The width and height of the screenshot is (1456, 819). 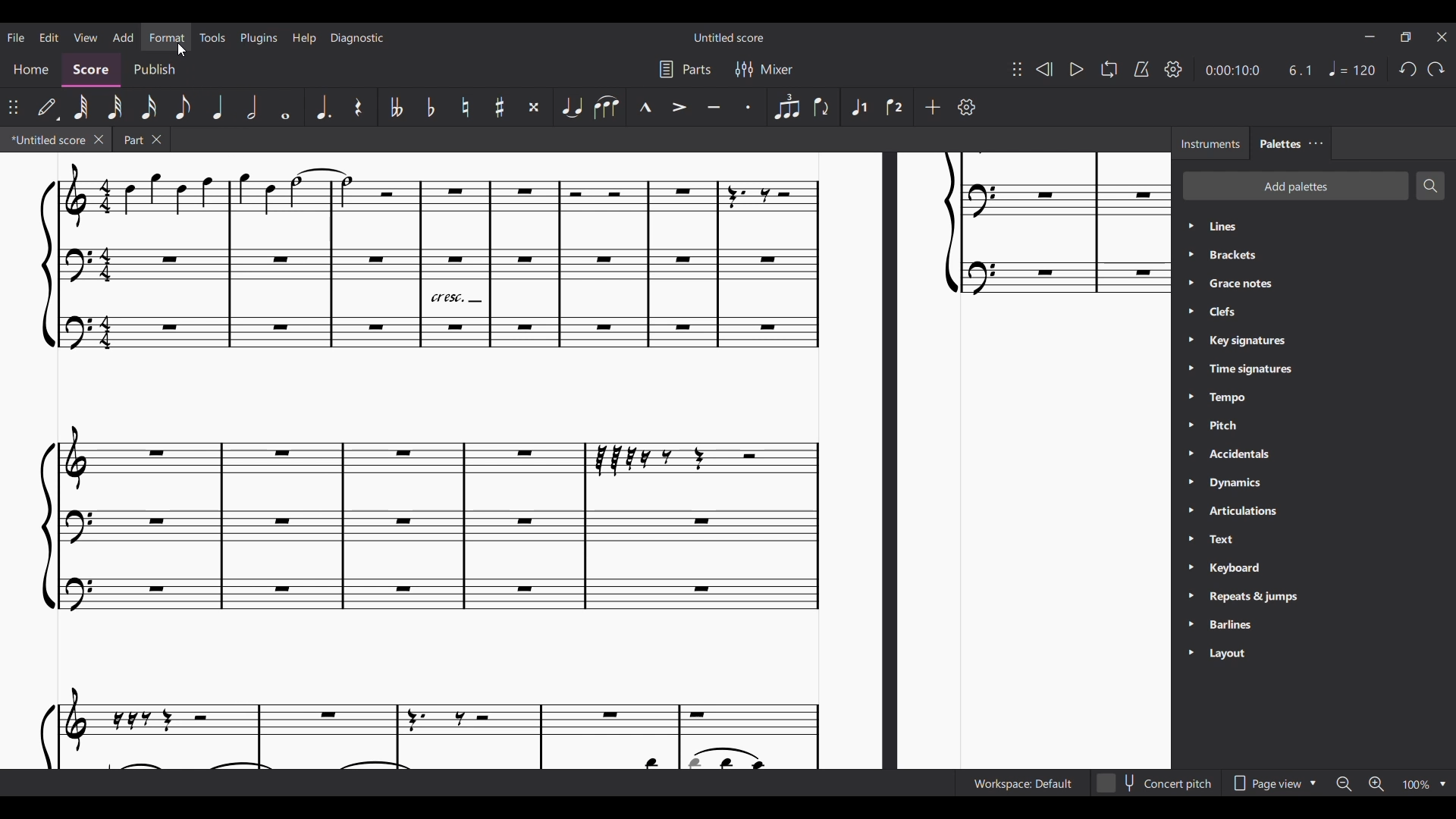 What do you see at coordinates (536, 107) in the screenshot?
I see `Toggle double sharp` at bounding box center [536, 107].